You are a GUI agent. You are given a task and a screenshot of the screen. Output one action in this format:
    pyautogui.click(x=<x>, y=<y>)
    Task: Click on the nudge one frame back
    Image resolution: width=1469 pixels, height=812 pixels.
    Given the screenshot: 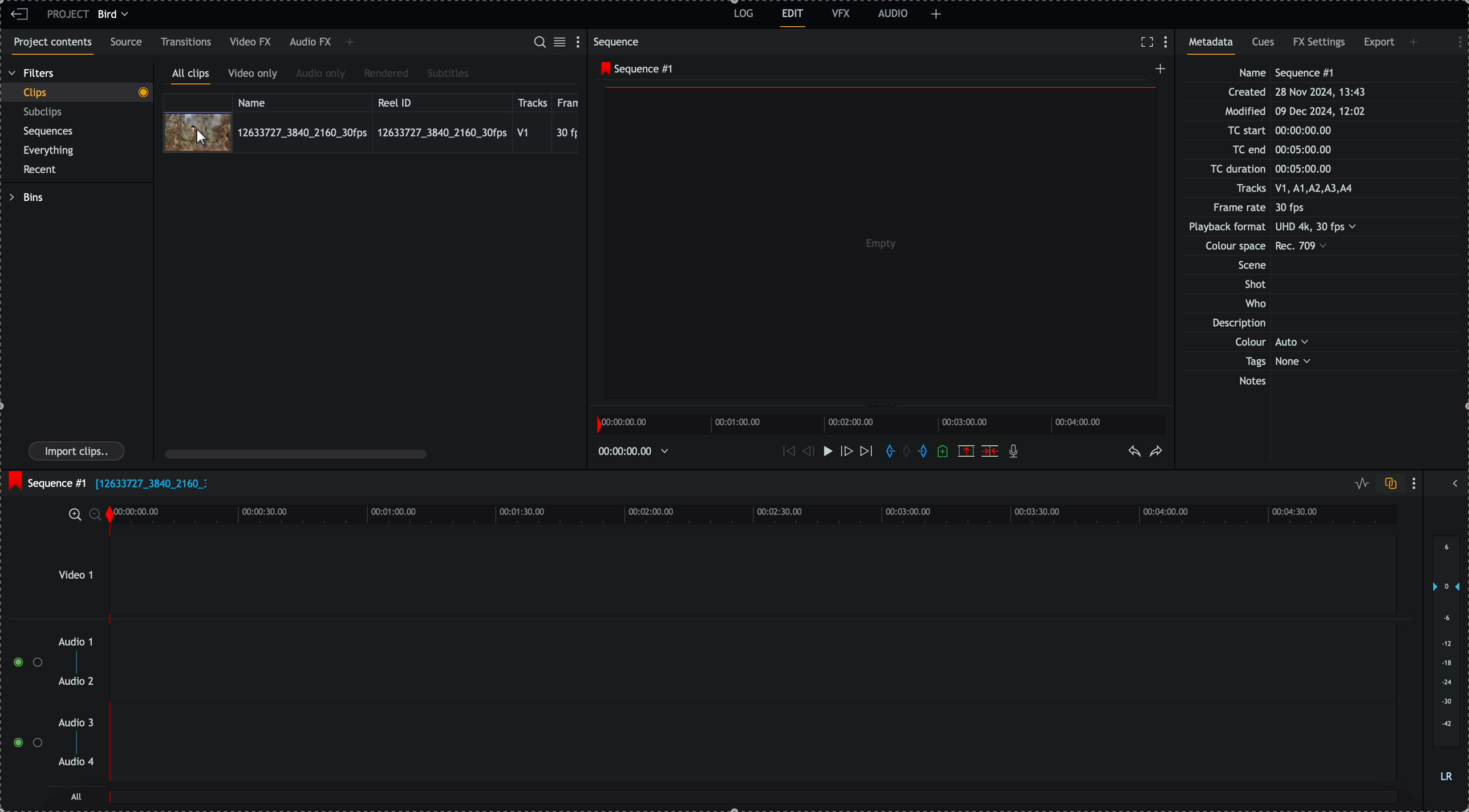 What is the action you would take?
    pyautogui.click(x=805, y=450)
    